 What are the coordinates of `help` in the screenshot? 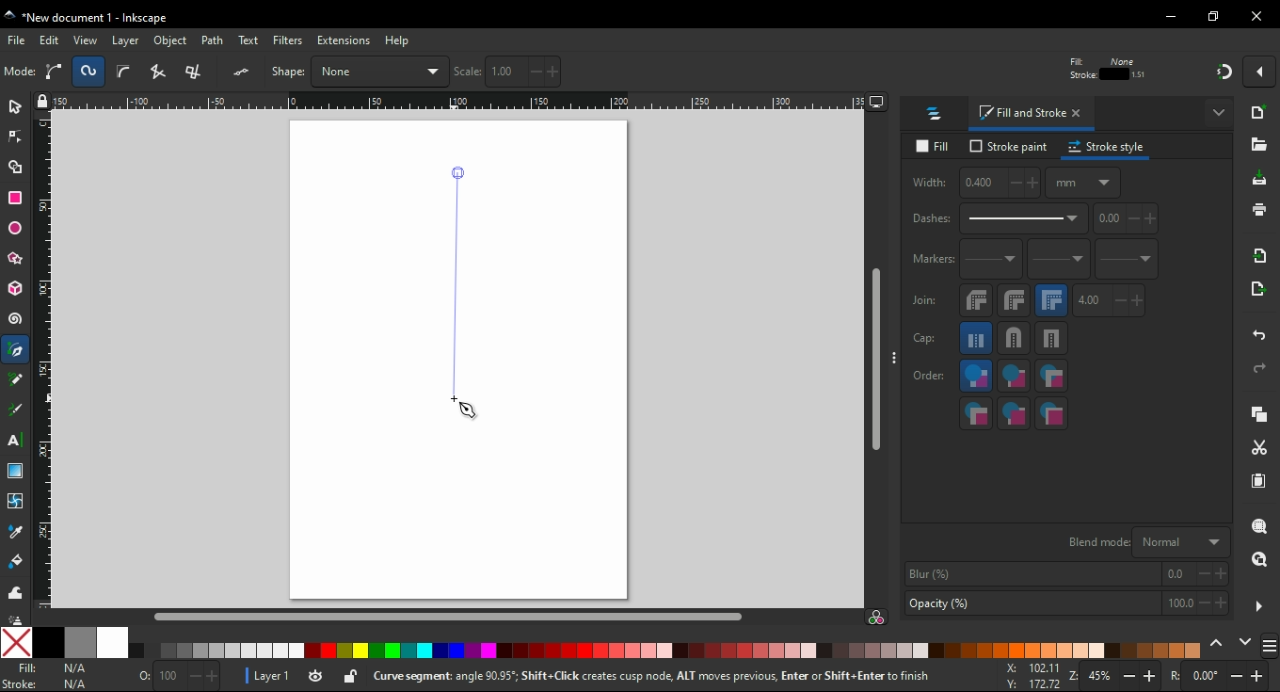 It's located at (397, 40).